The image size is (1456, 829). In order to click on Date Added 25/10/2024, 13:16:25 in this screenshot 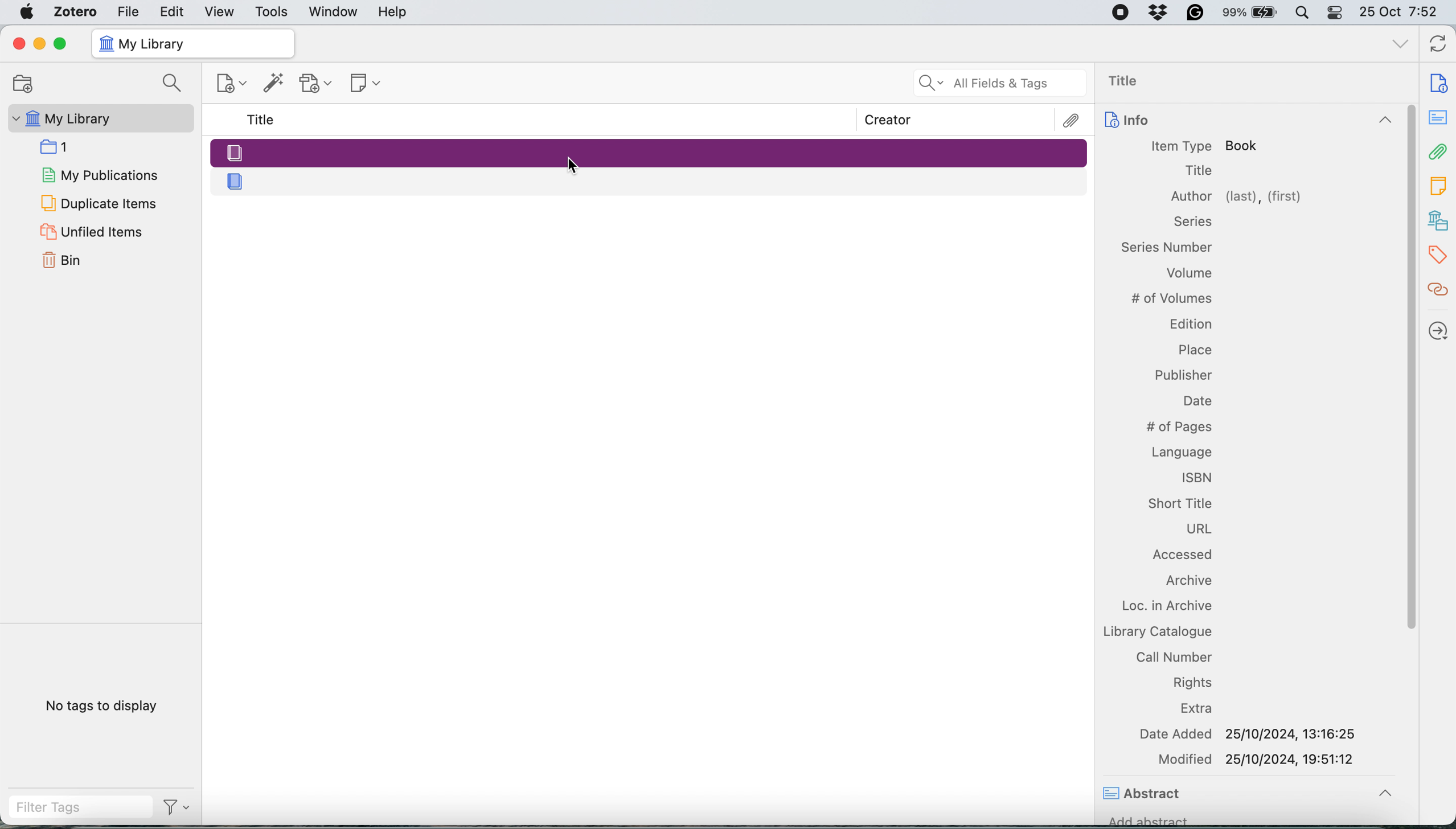, I will do `click(1251, 733)`.